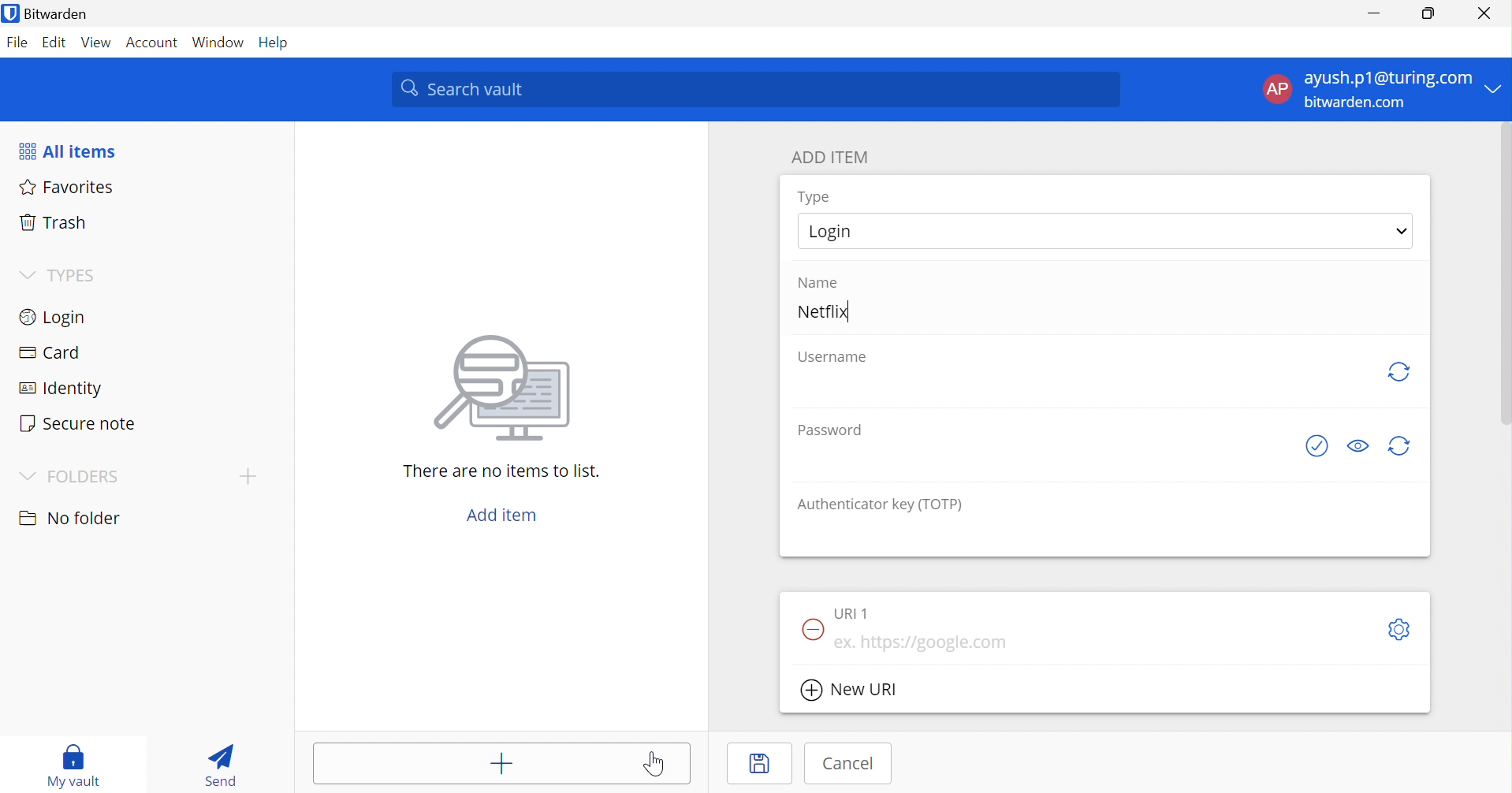 Image resolution: width=1512 pixels, height=793 pixels. Describe the element at coordinates (218, 43) in the screenshot. I see `Window` at that location.